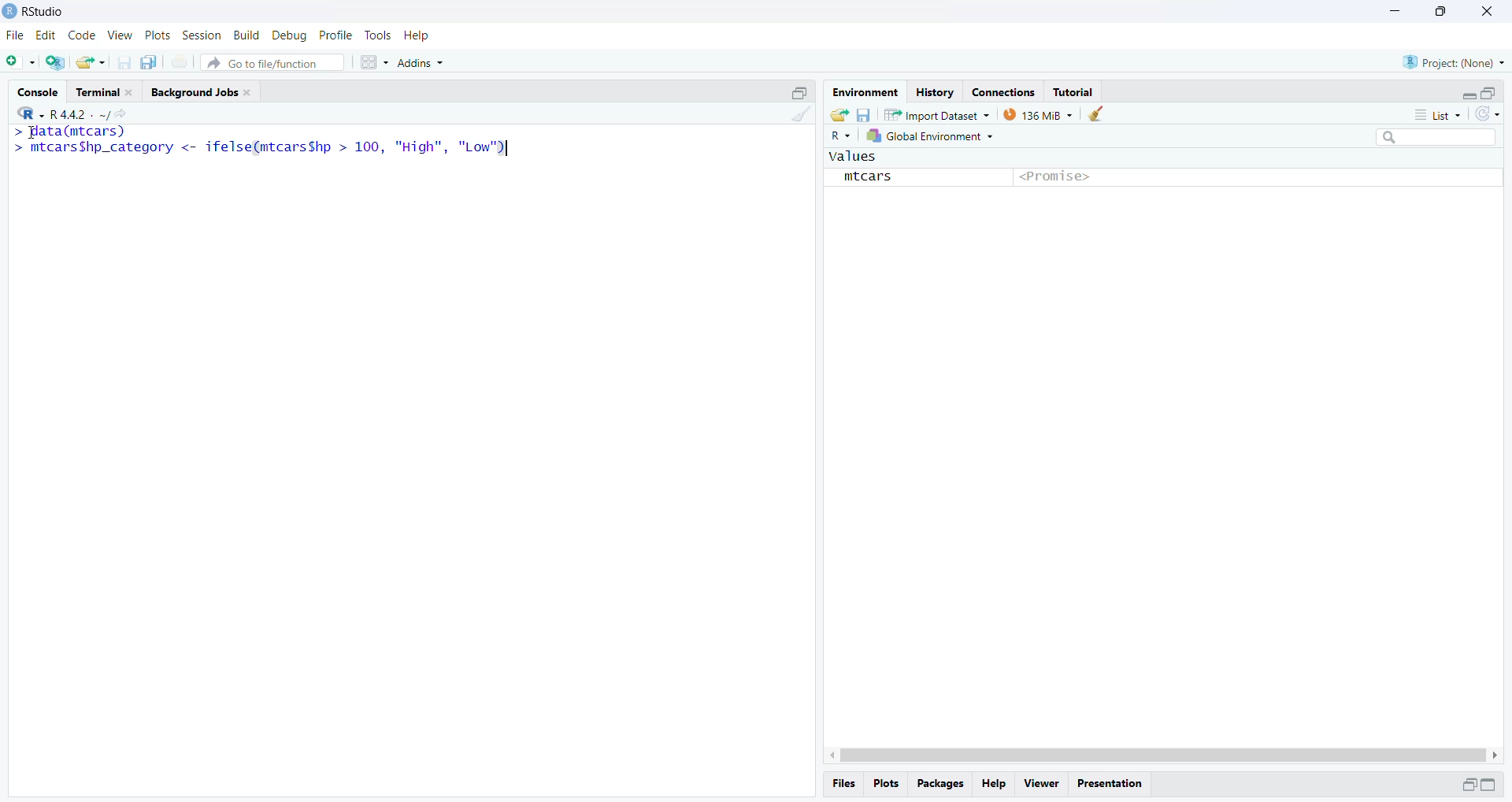 Image resolution: width=1512 pixels, height=802 pixels. Describe the element at coordinates (933, 138) in the screenshot. I see `Global Environment` at that location.